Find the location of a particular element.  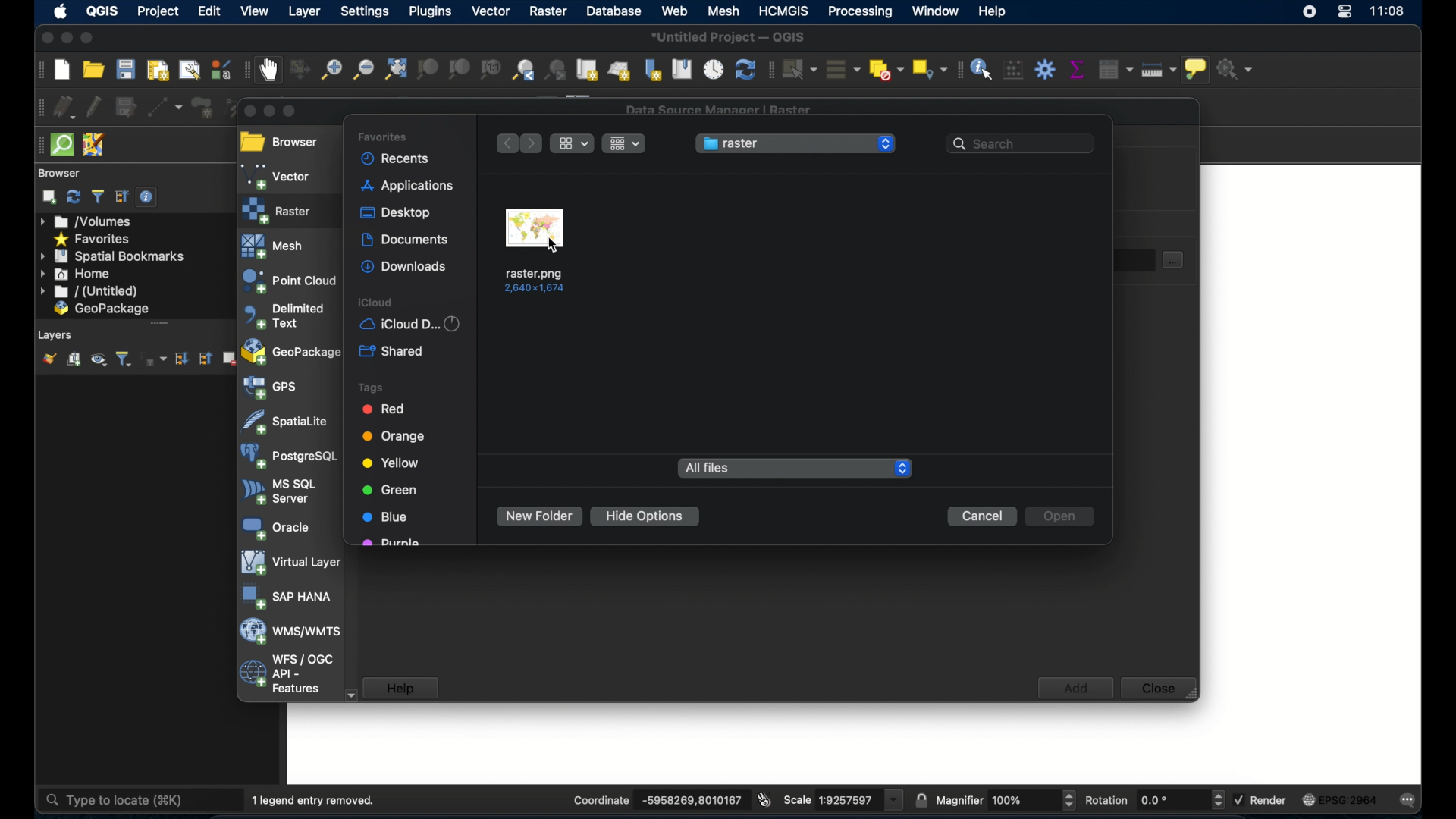

close is located at coordinates (44, 39).